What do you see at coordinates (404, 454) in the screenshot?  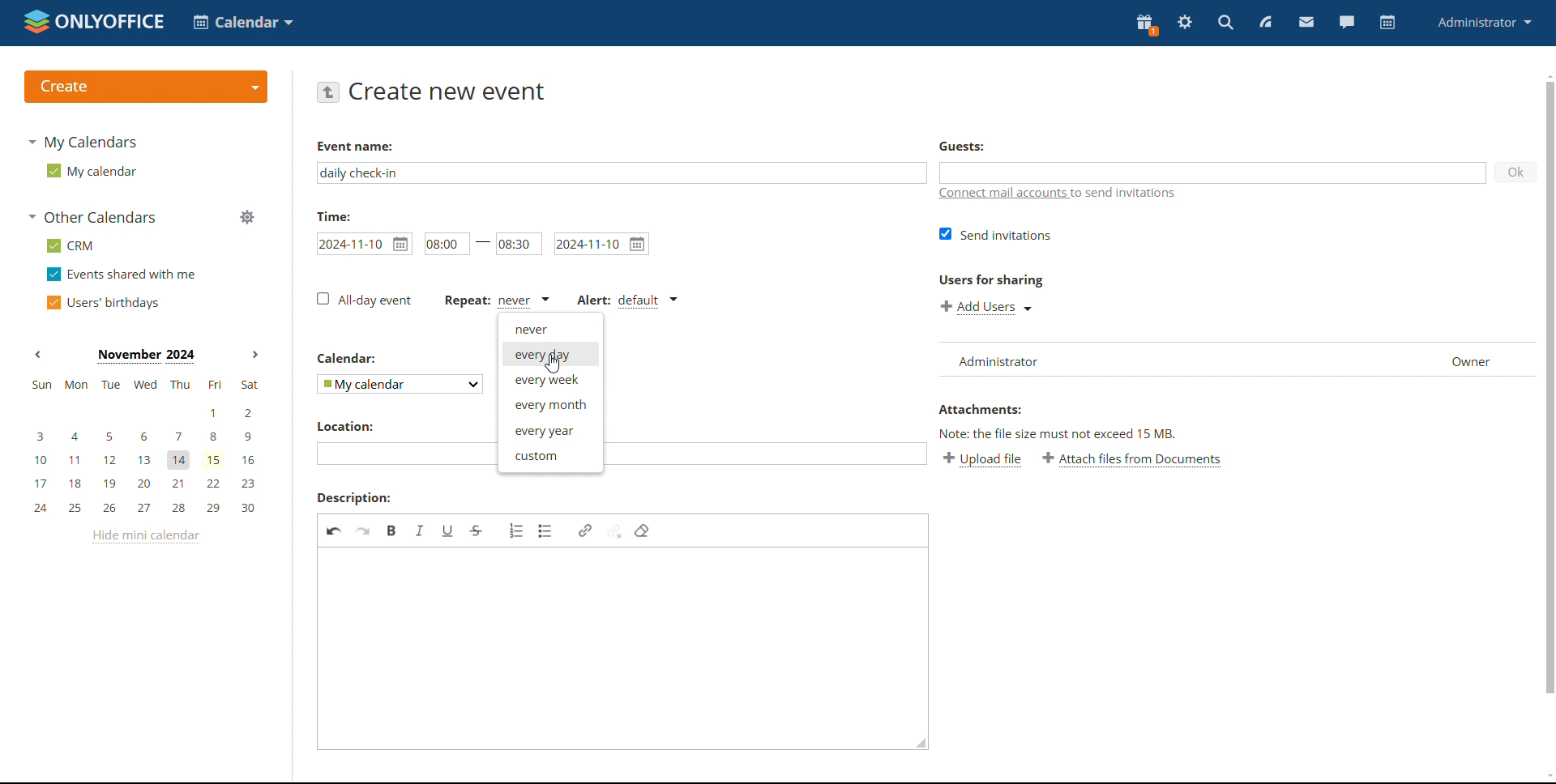 I see `add location` at bounding box center [404, 454].